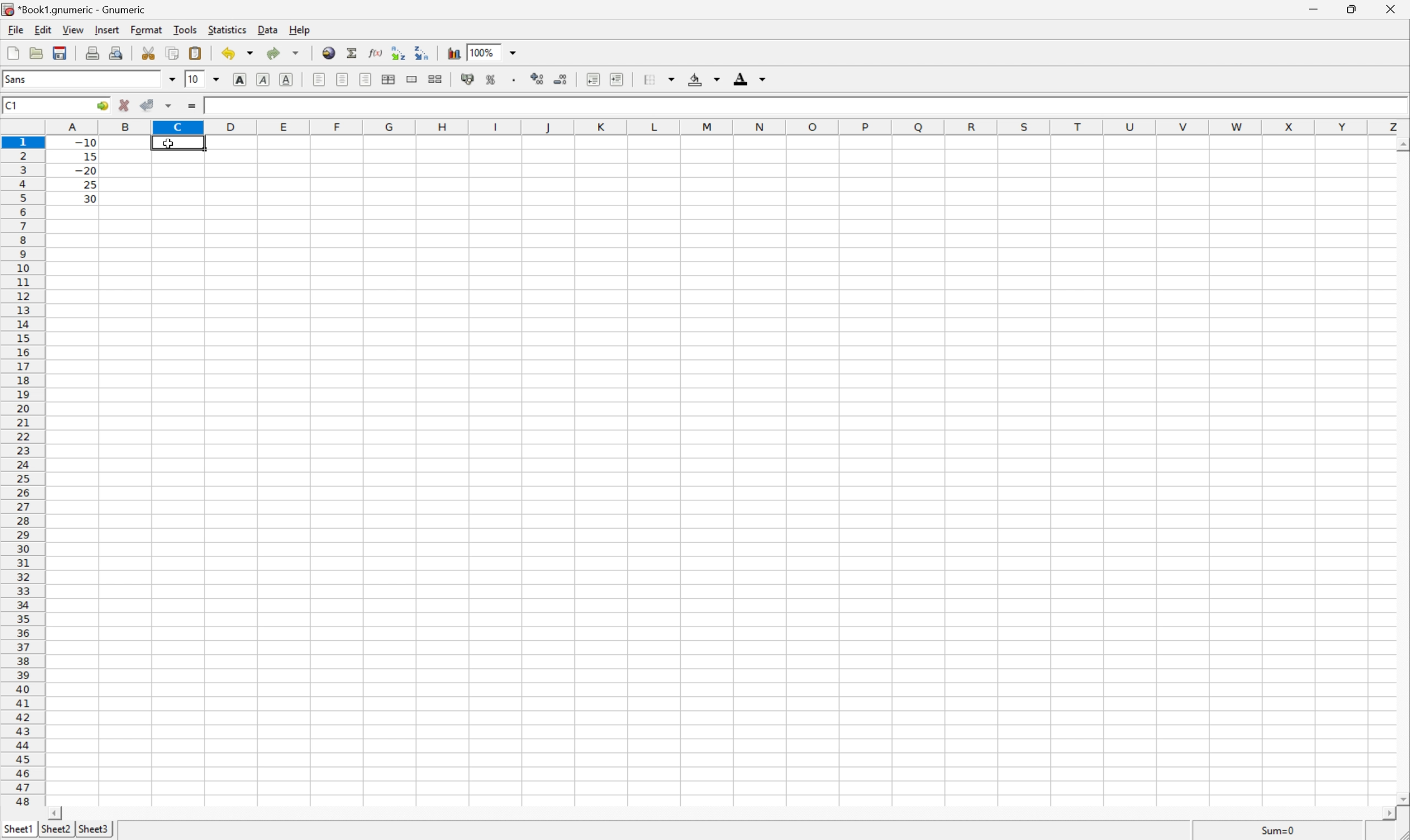 The width and height of the screenshot is (1410, 840). Describe the element at coordinates (171, 106) in the screenshot. I see `Accept change in multiple cells` at that location.